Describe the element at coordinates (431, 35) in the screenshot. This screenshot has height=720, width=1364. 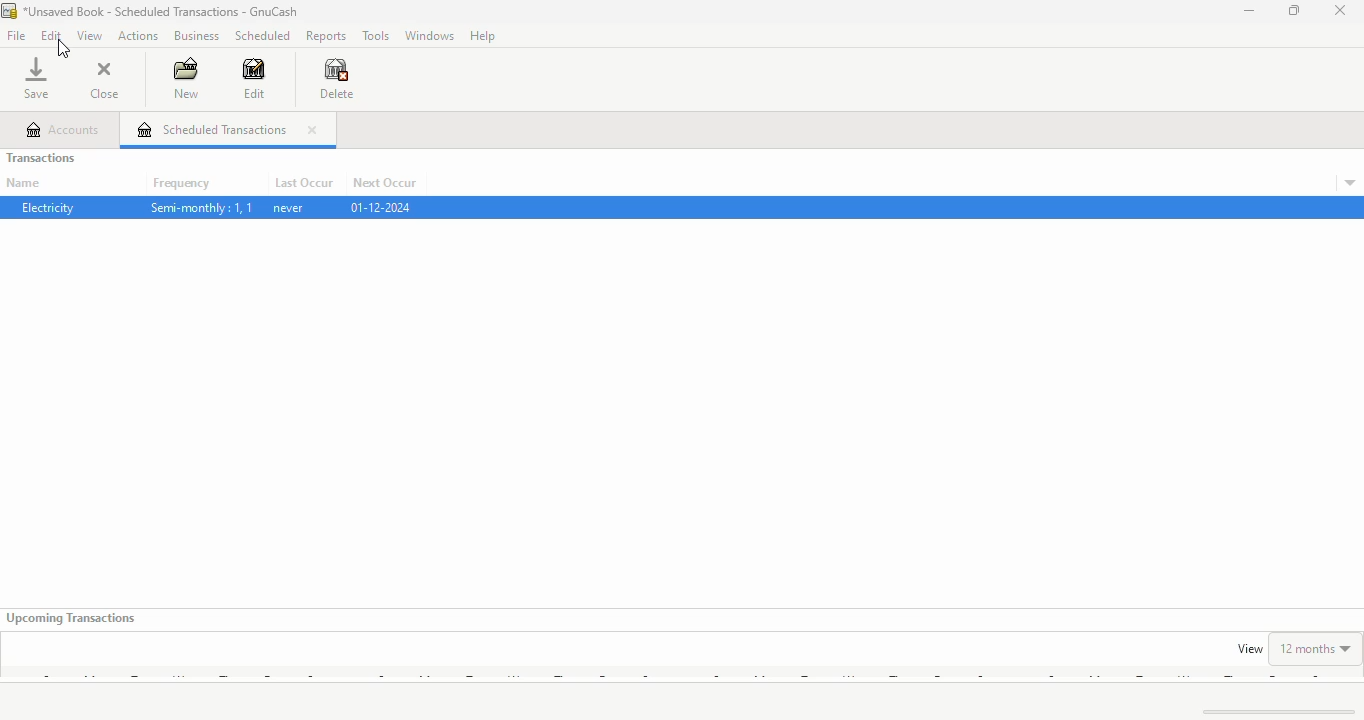
I see `windows` at that location.